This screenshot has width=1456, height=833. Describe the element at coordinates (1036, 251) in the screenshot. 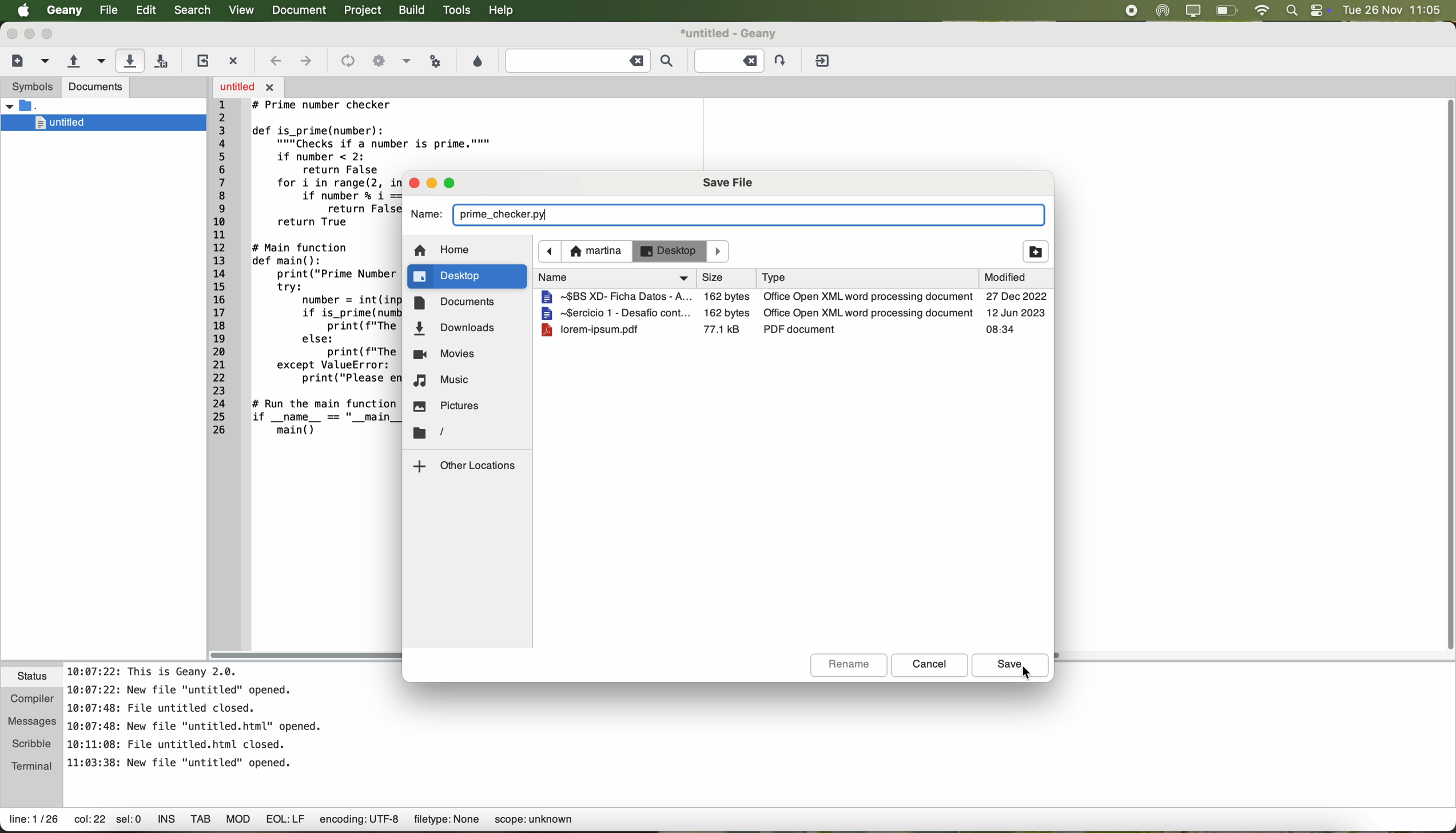

I see `add folder` at that location.